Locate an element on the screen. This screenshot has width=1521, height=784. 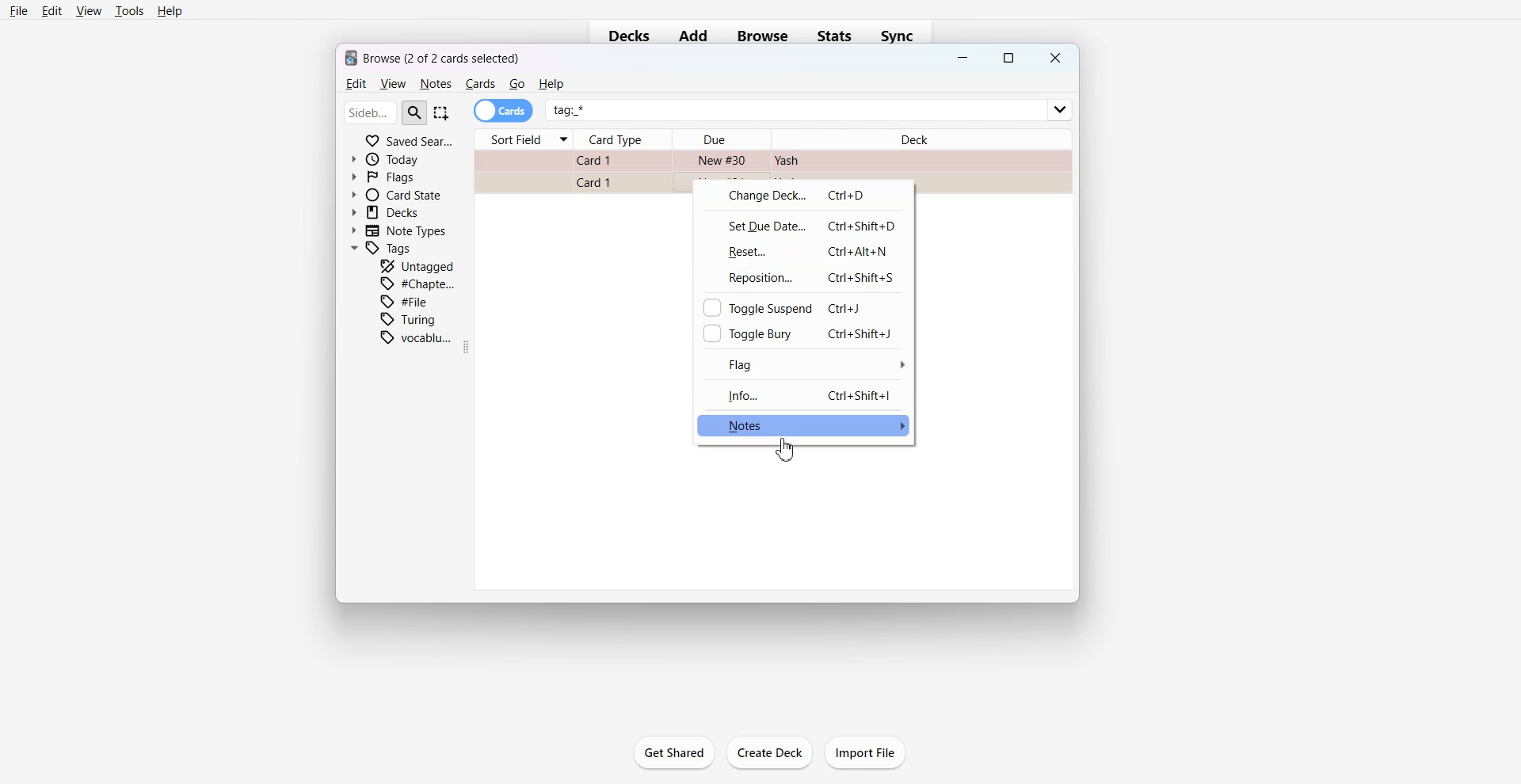
Today is located at coordinates (389, 159).